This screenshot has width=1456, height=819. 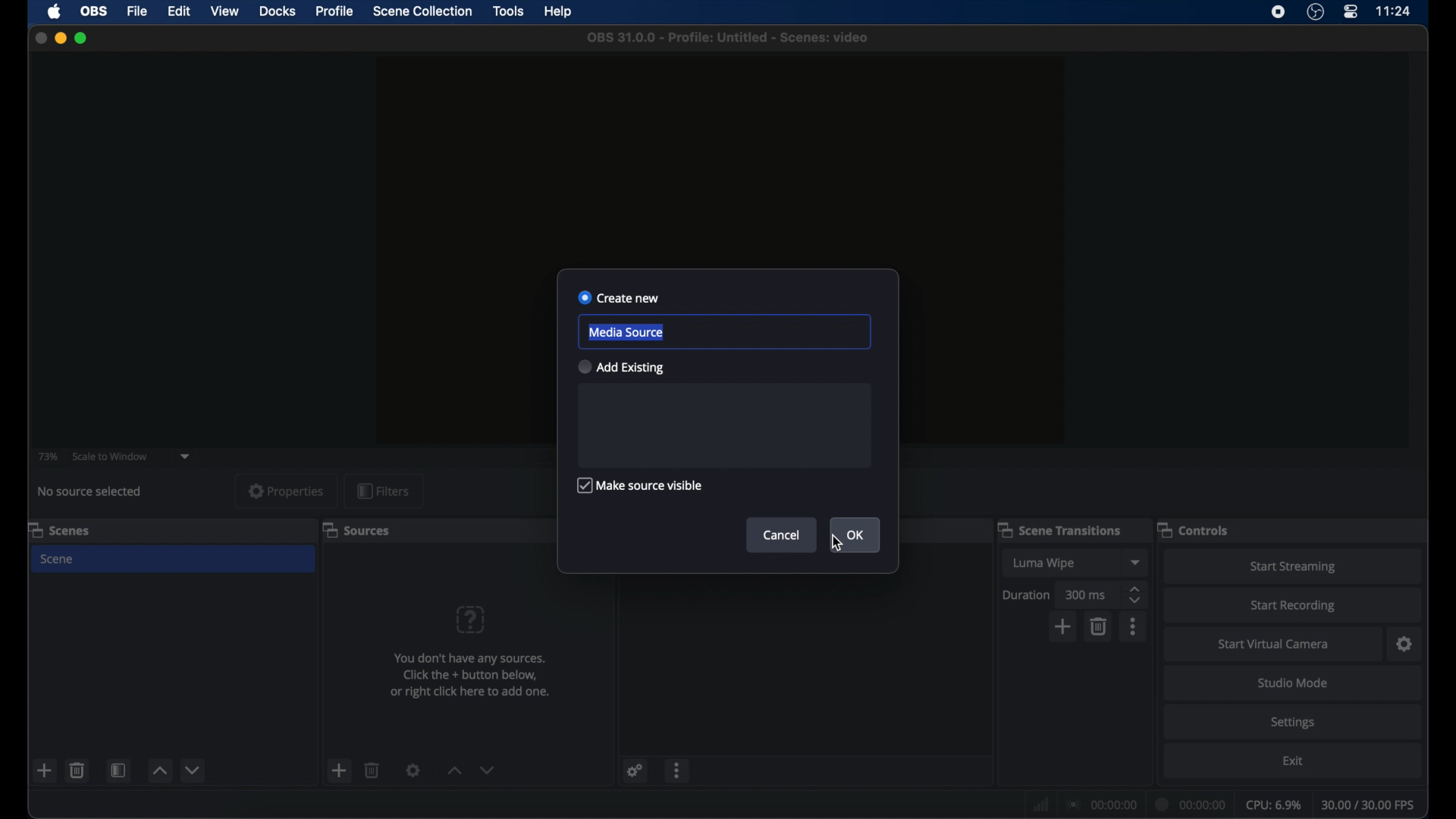 I want to click on 73%, so click(x=47, y=457).